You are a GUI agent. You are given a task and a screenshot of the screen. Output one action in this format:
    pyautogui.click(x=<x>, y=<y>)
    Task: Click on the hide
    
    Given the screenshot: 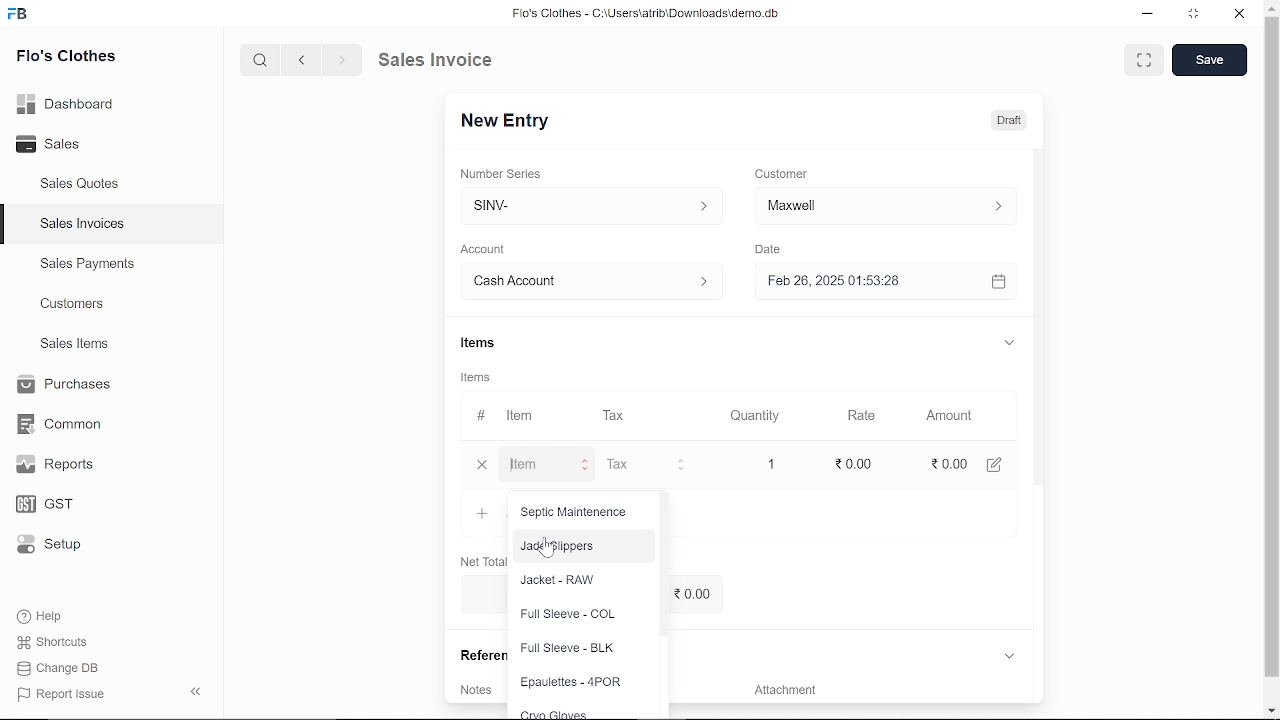 What is the action you would take?
    pyautogui.click(x=197, y=689)
    